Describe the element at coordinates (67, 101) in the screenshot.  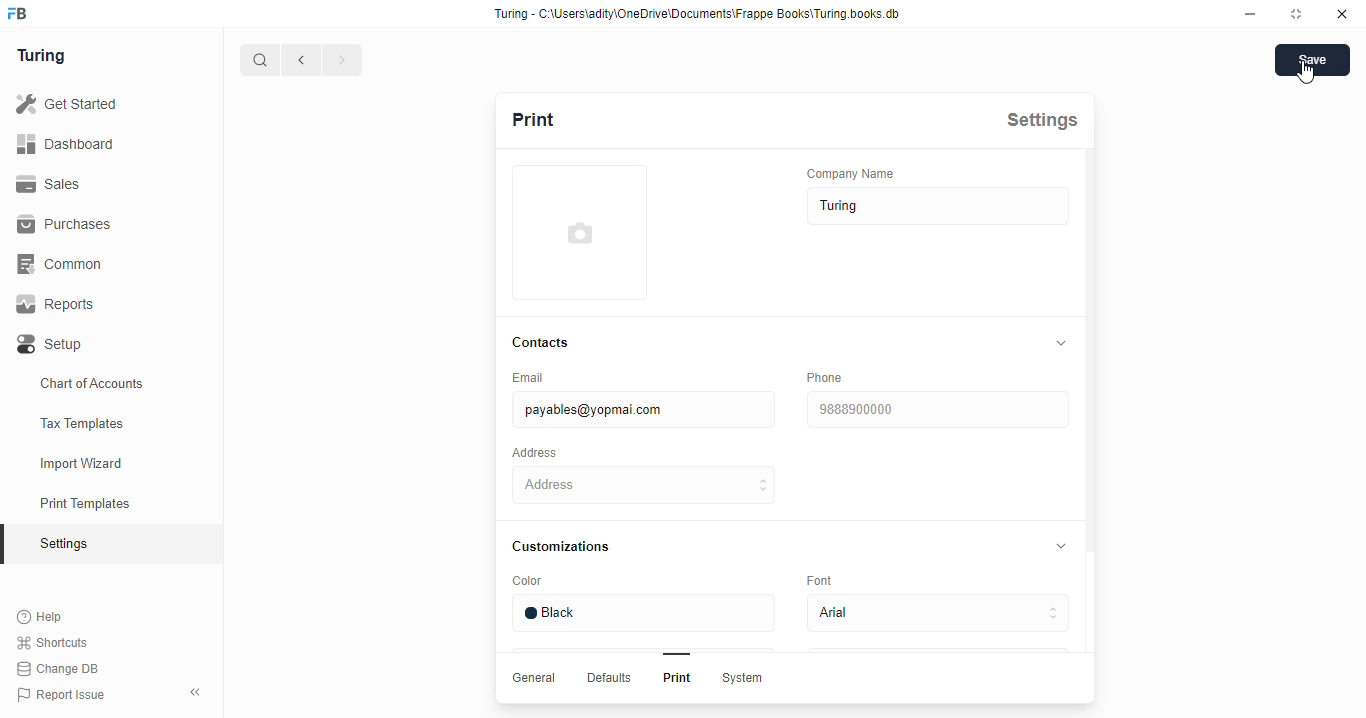
I see `Get Started` at that location.